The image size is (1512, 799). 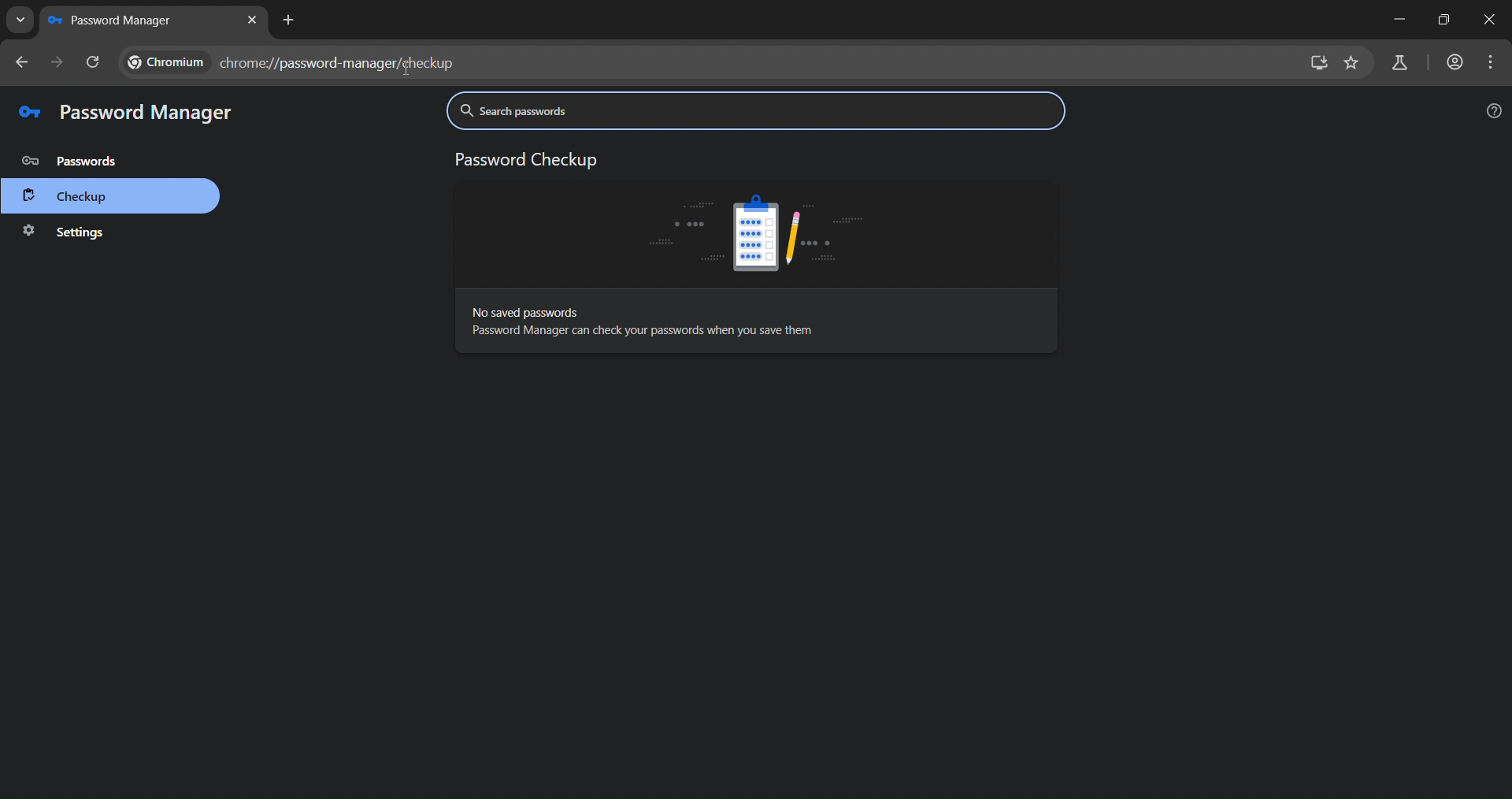 What do you see at coordinates (1321, 65) in the screenshot?
I see `install` at bounding box center [1321, 65].